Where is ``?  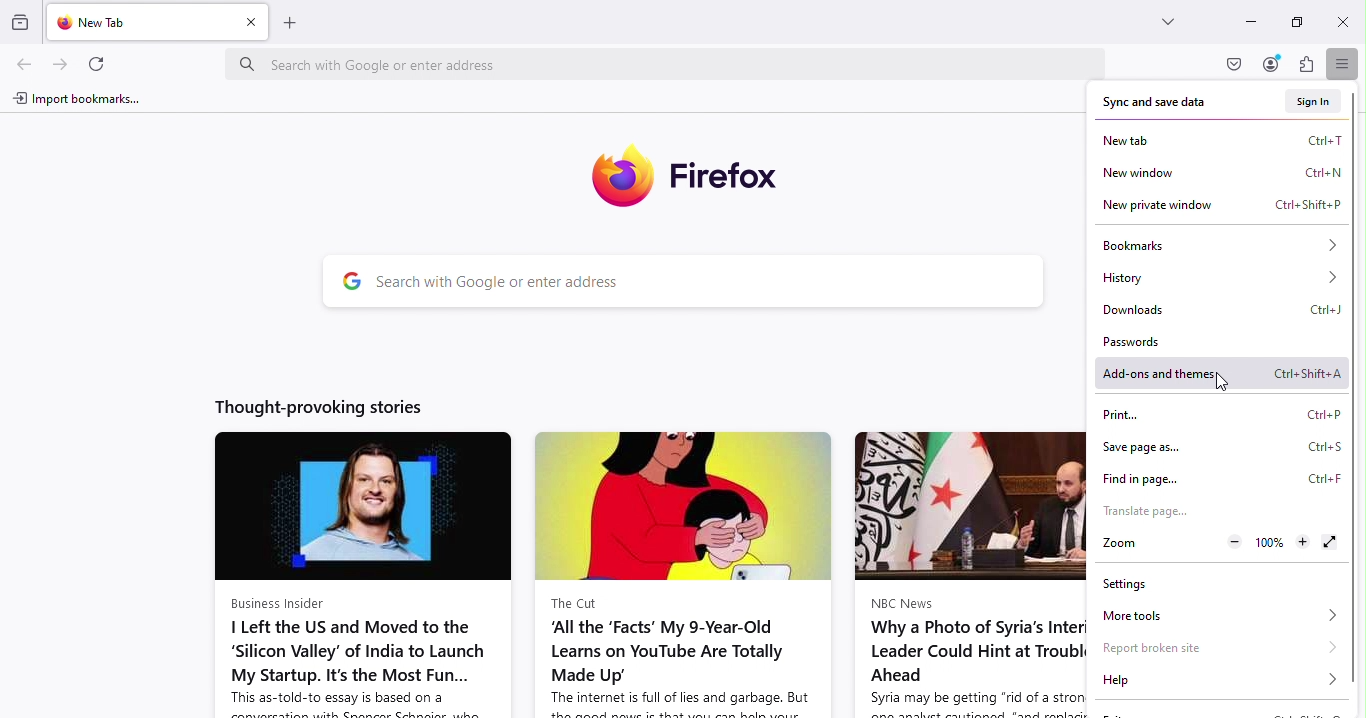  is located at coordinates (1305, 61).